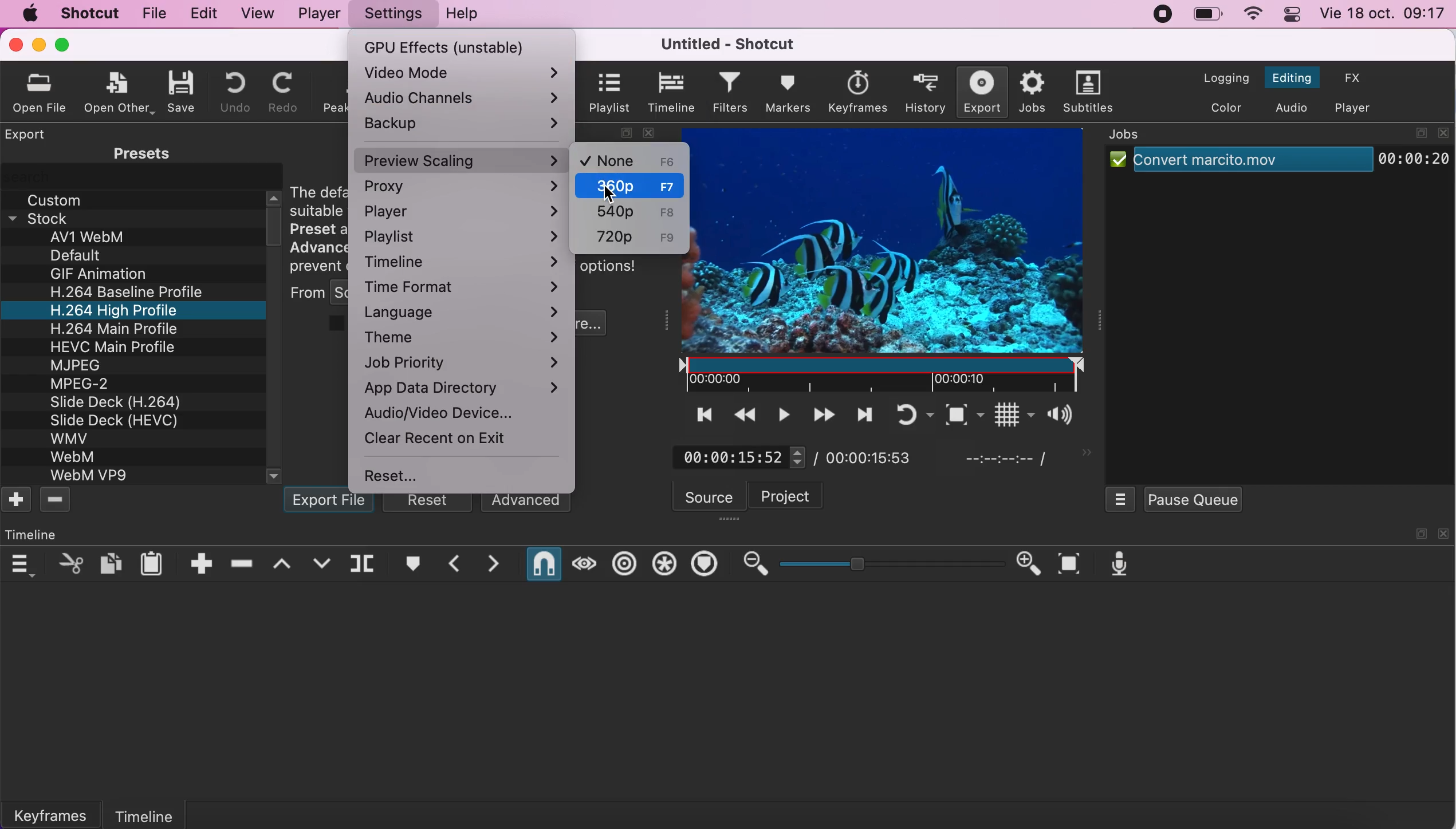 The image size is (1456, 829). I want to click on lift, so click(283, 564).